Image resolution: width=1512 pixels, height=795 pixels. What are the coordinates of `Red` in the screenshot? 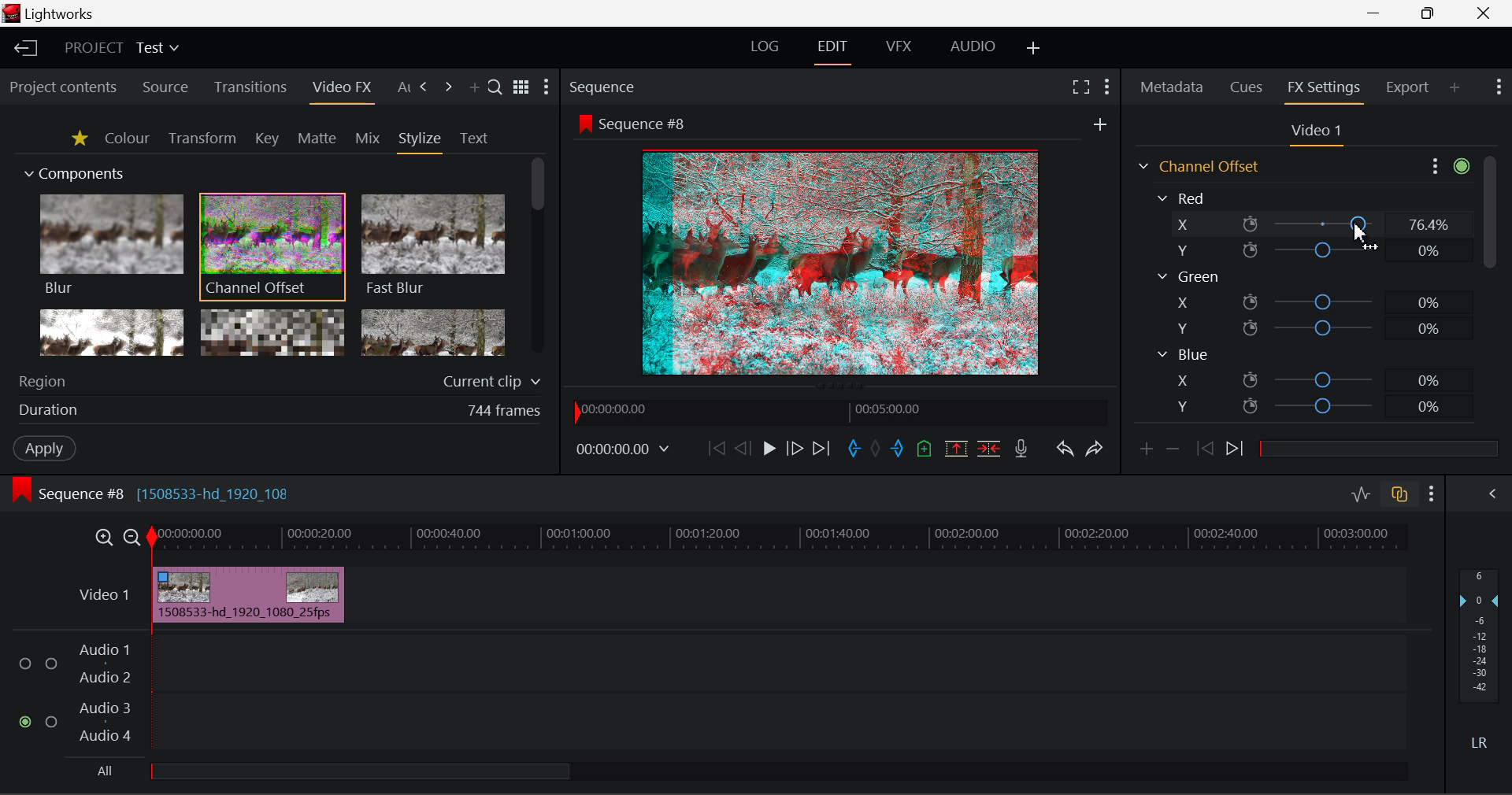 It's located at (1184, 197).